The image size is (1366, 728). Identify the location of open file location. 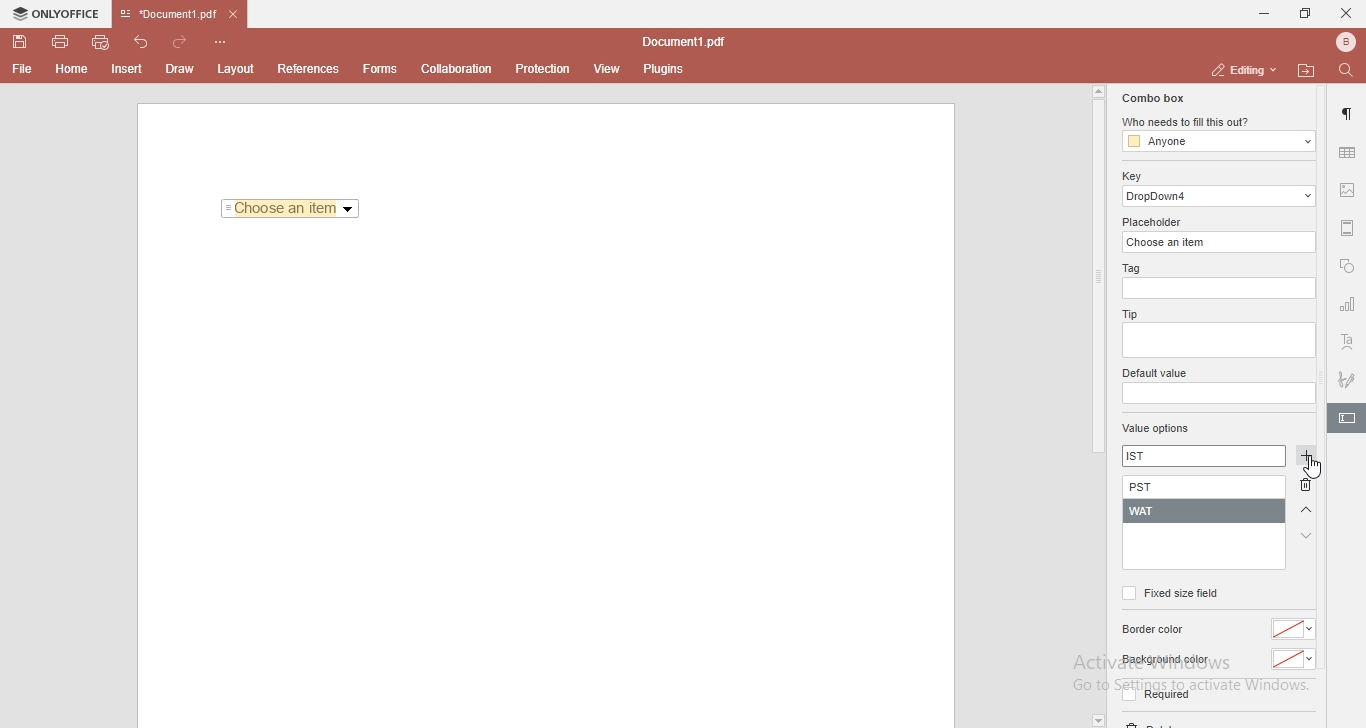
(1309, 70).